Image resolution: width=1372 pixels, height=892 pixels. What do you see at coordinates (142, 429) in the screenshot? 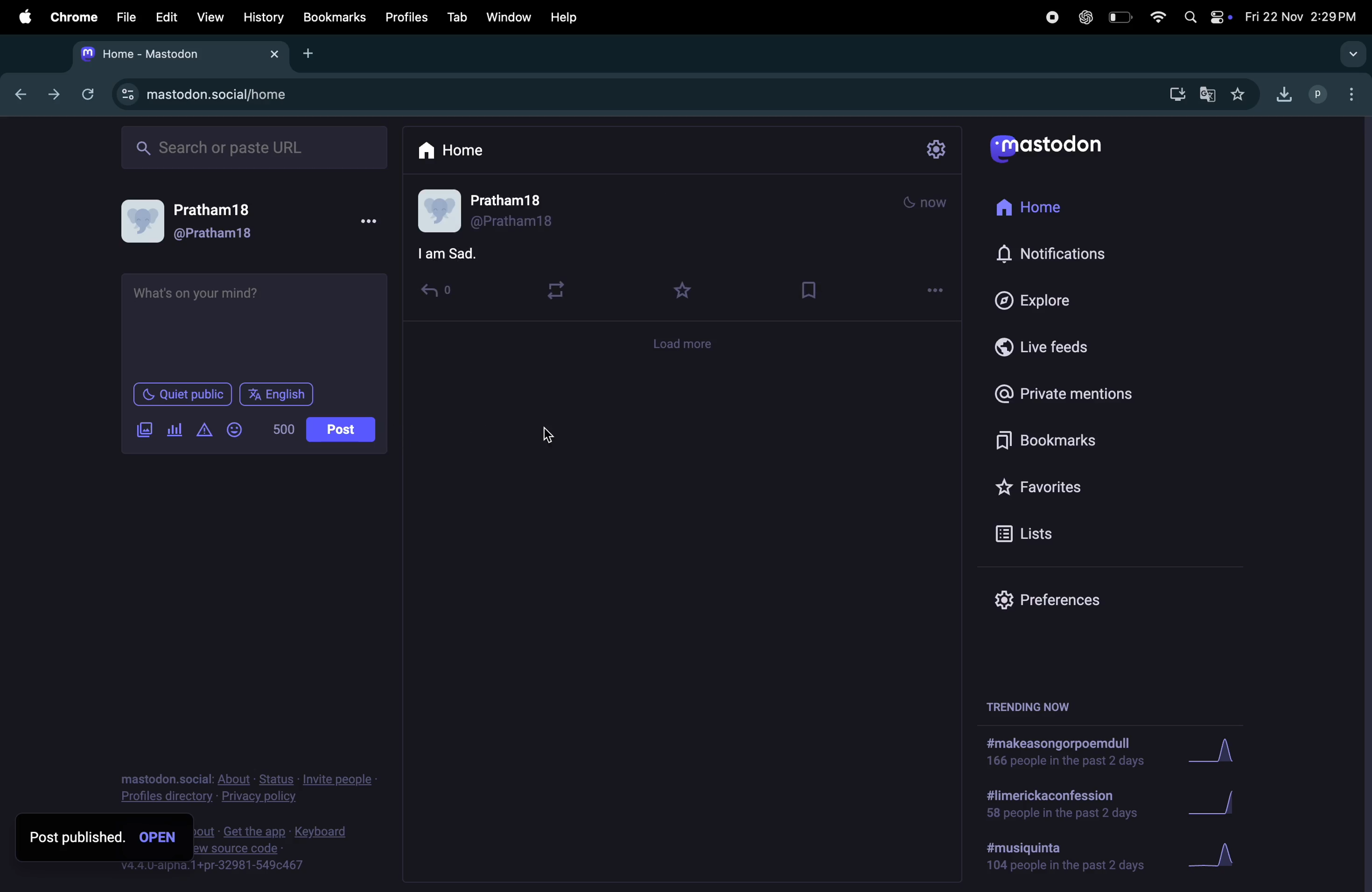
I see `add images` at bounding box center [142, 429].